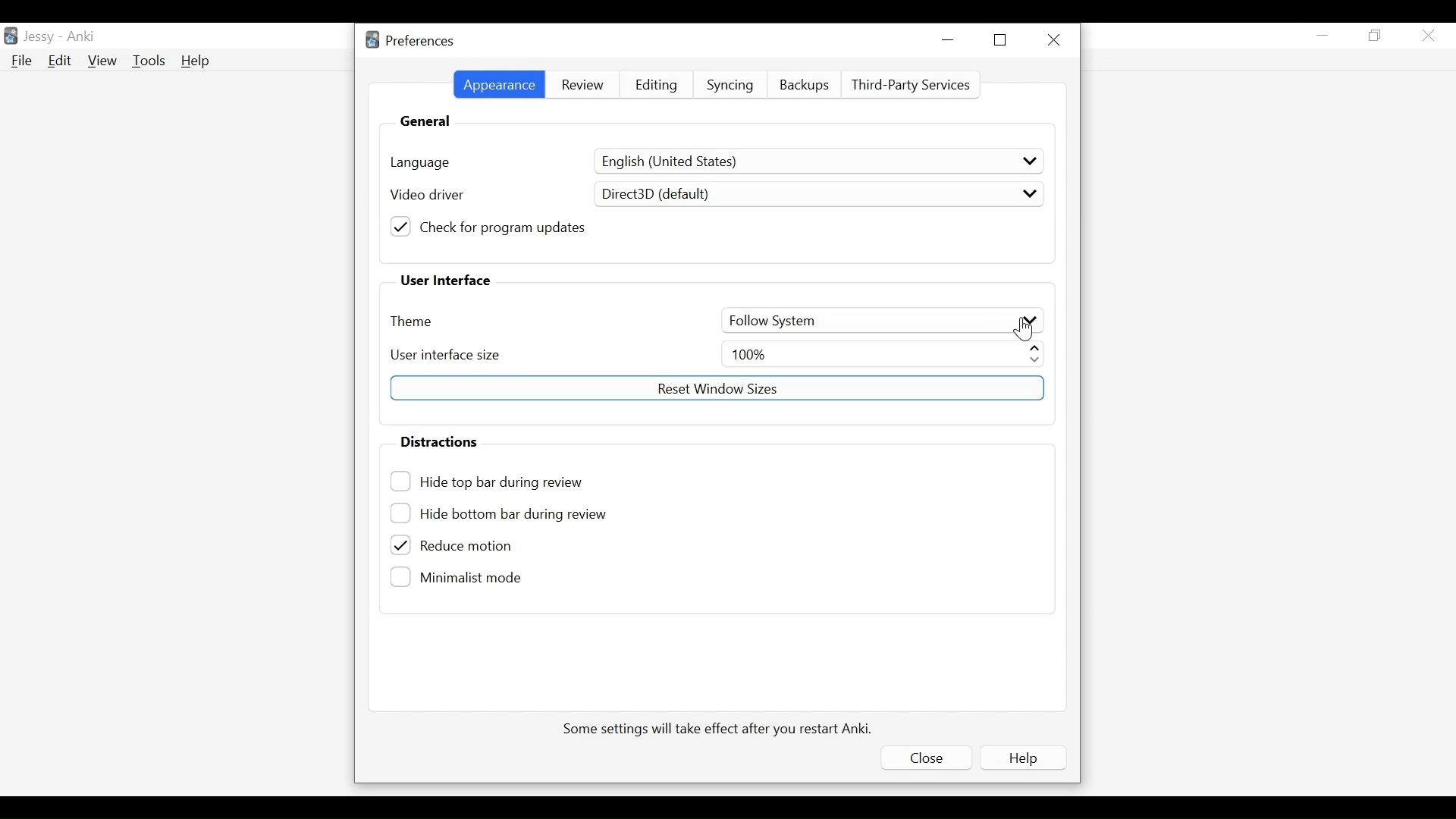 This screenshot has height=819, width=1456. What do you see at coordinates (101, 59) in the screenshot?
I see `View` at bounding box center [101, 59].